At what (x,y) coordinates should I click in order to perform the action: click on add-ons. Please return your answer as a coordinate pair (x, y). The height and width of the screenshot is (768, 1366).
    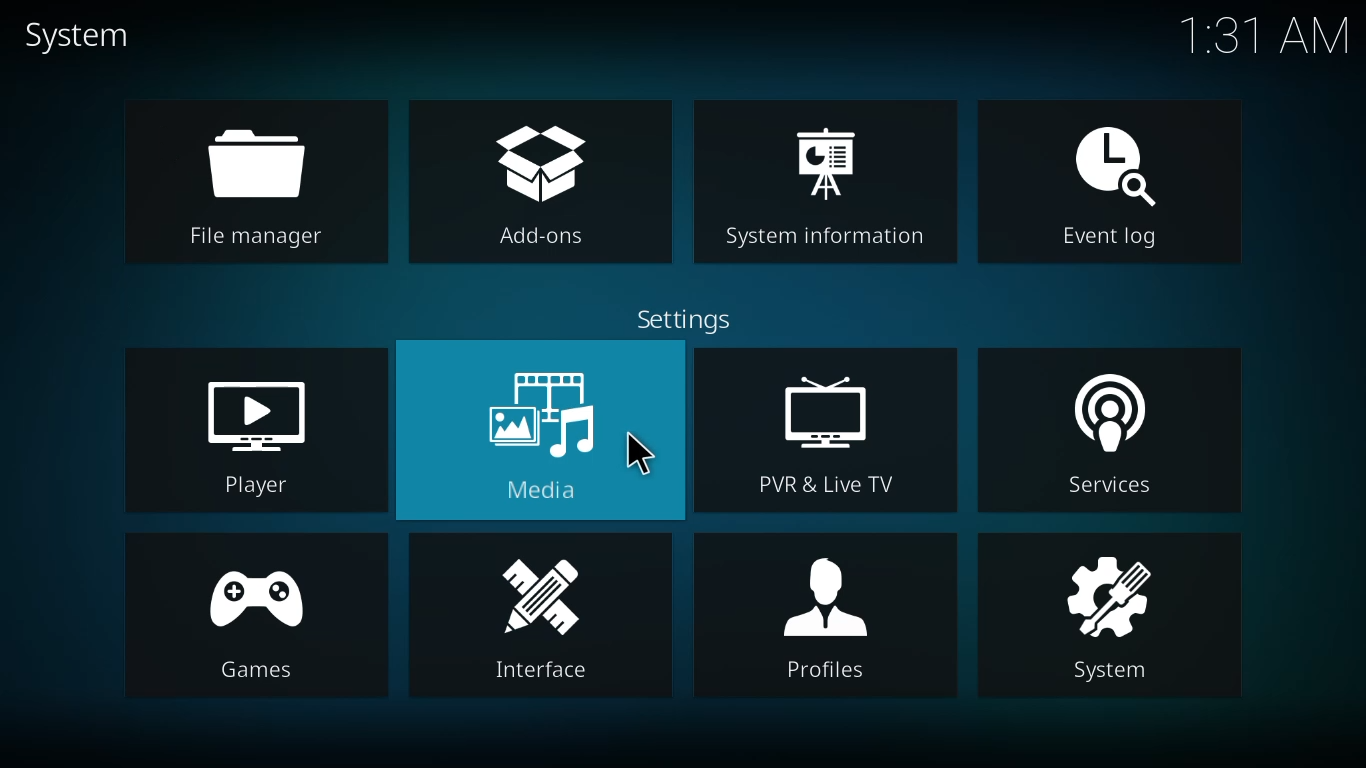
    Looking at the image, I should click on (543, 181).